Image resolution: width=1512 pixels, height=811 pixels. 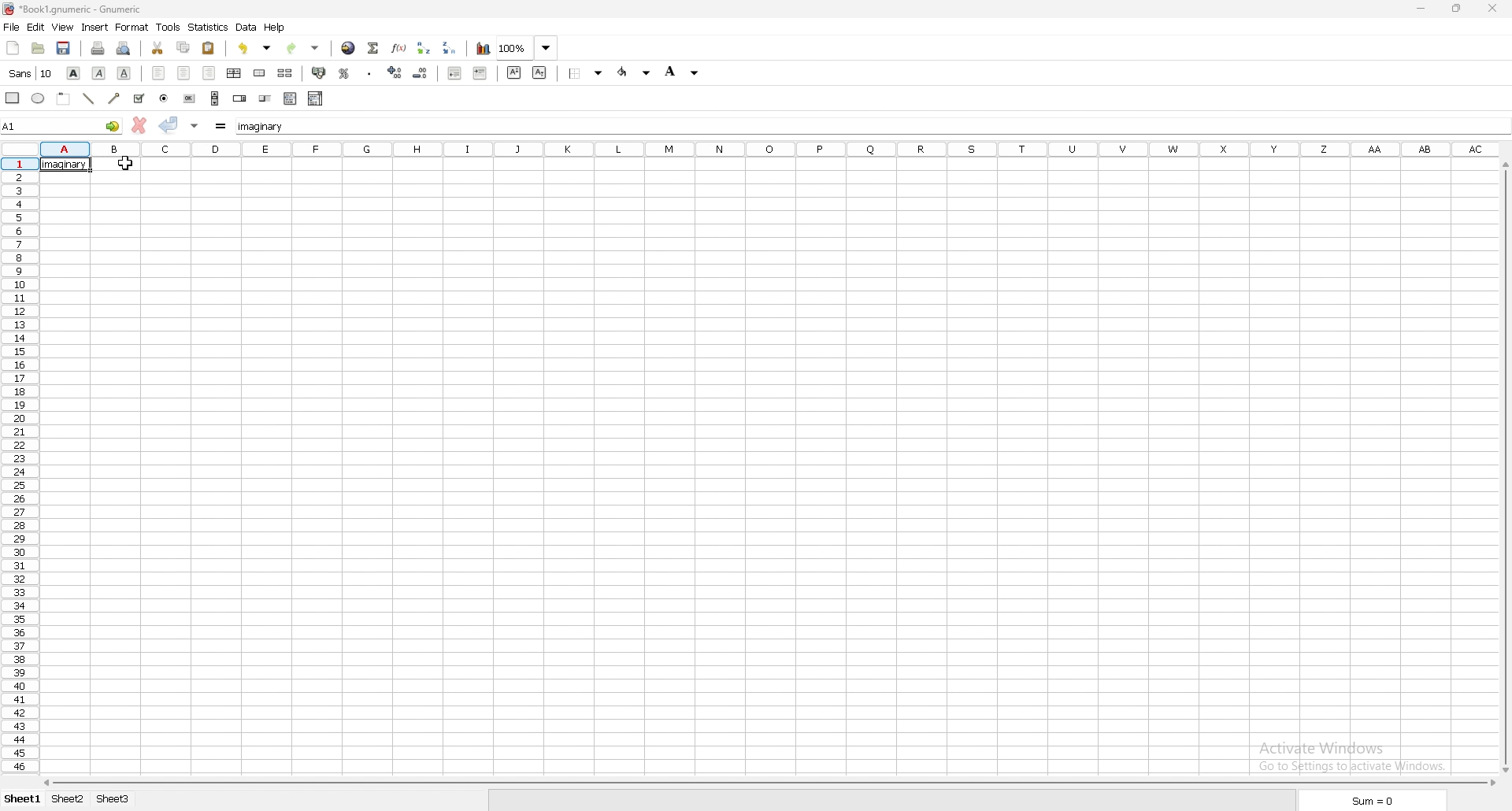 What do you see at coordinates (215, 98) in the screenshot?
I see `scroll bar` at bounding box center [215, 98].